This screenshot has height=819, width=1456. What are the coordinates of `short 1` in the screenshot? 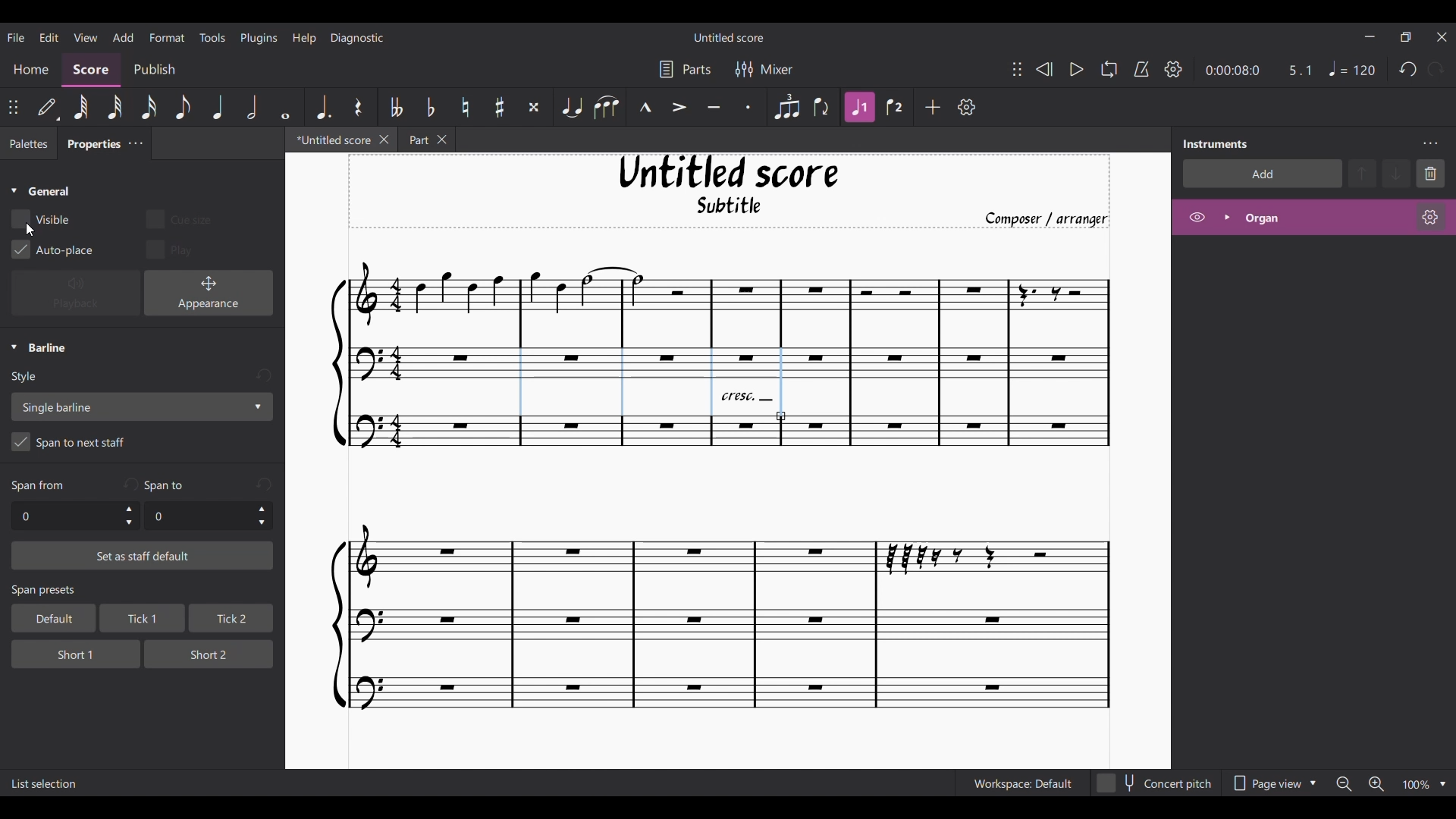 It's located at (64, 652).